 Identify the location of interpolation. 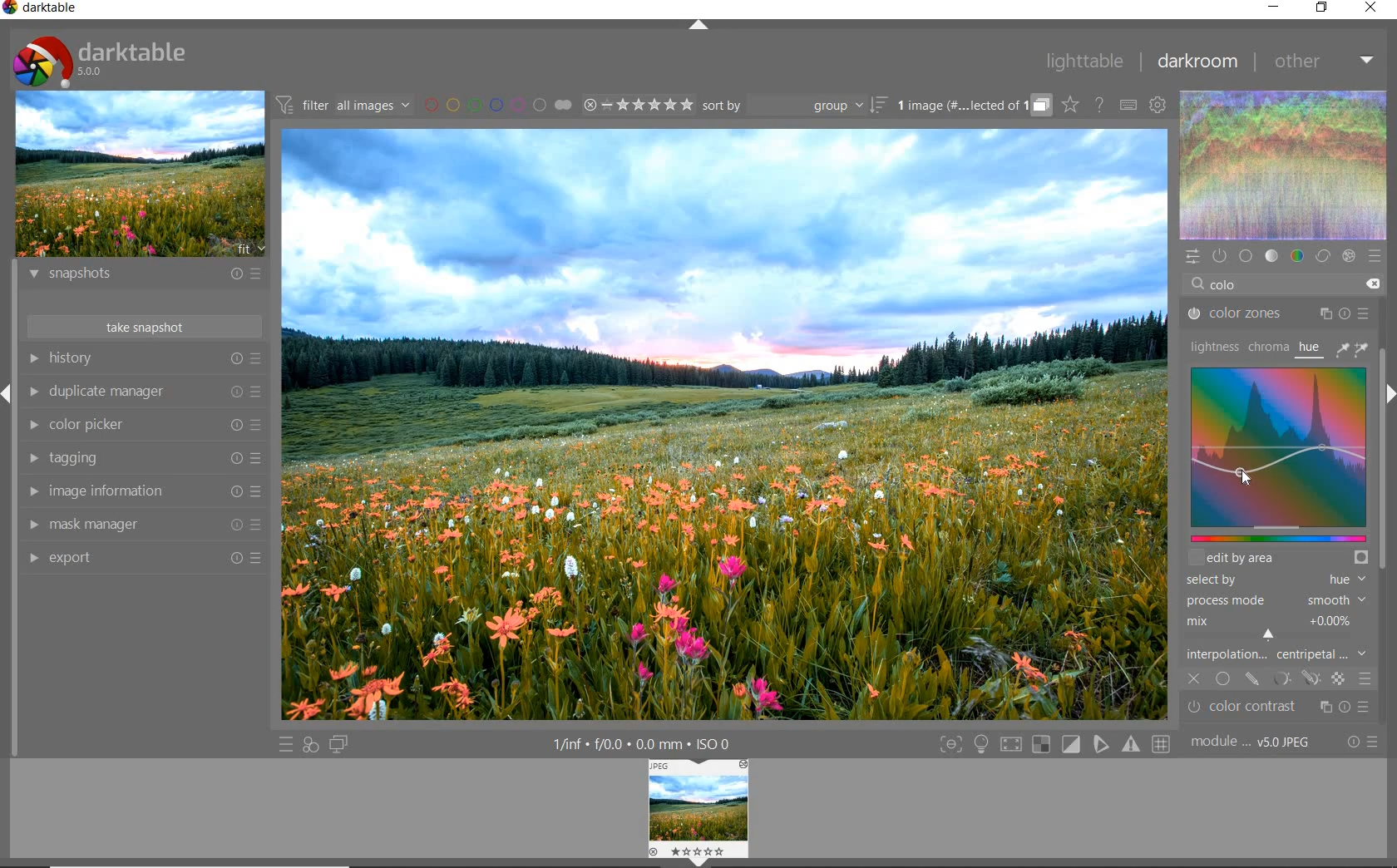
(1277, 655).